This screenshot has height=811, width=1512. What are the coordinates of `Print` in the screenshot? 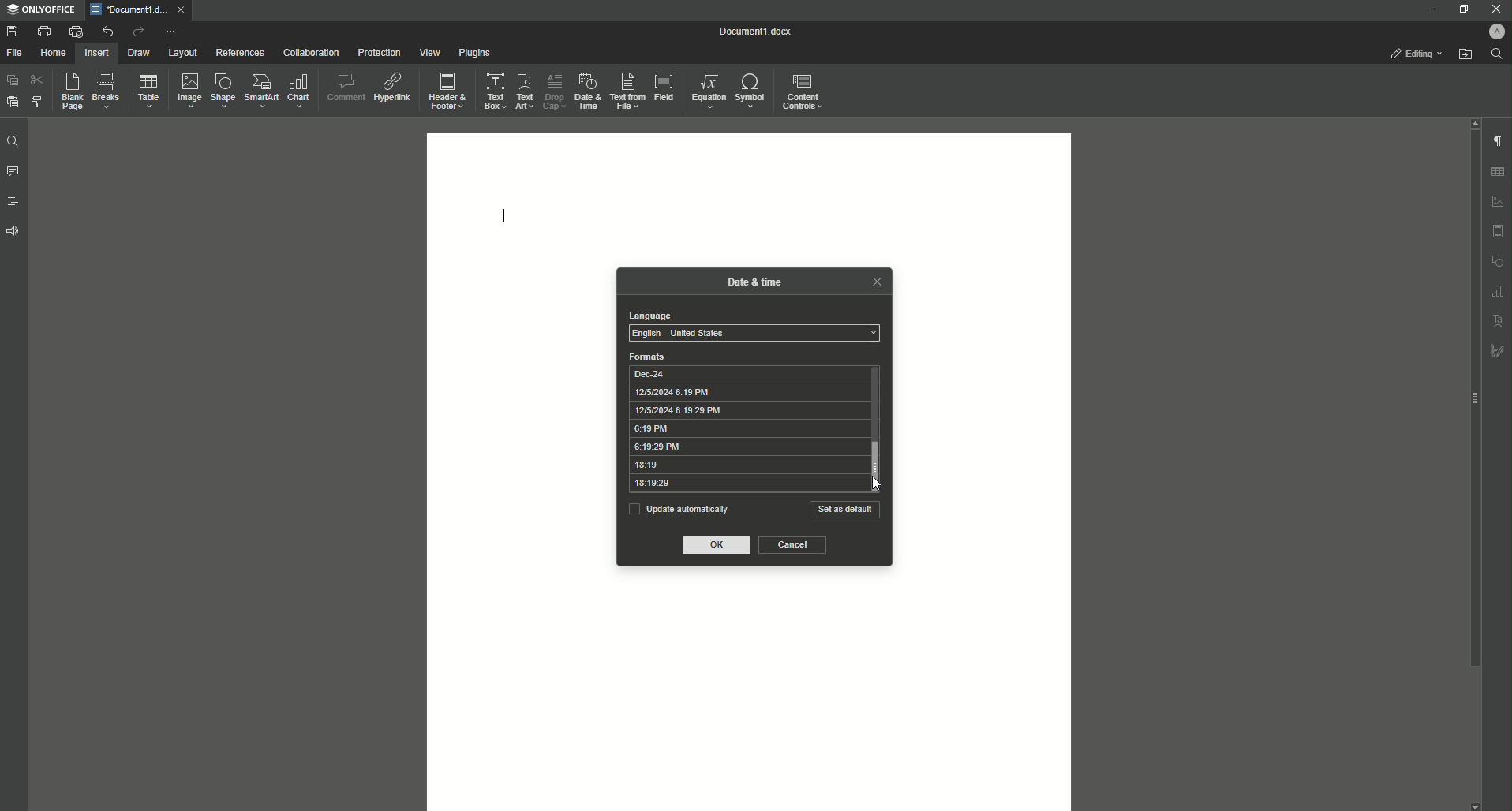 It's located at (43, 31).